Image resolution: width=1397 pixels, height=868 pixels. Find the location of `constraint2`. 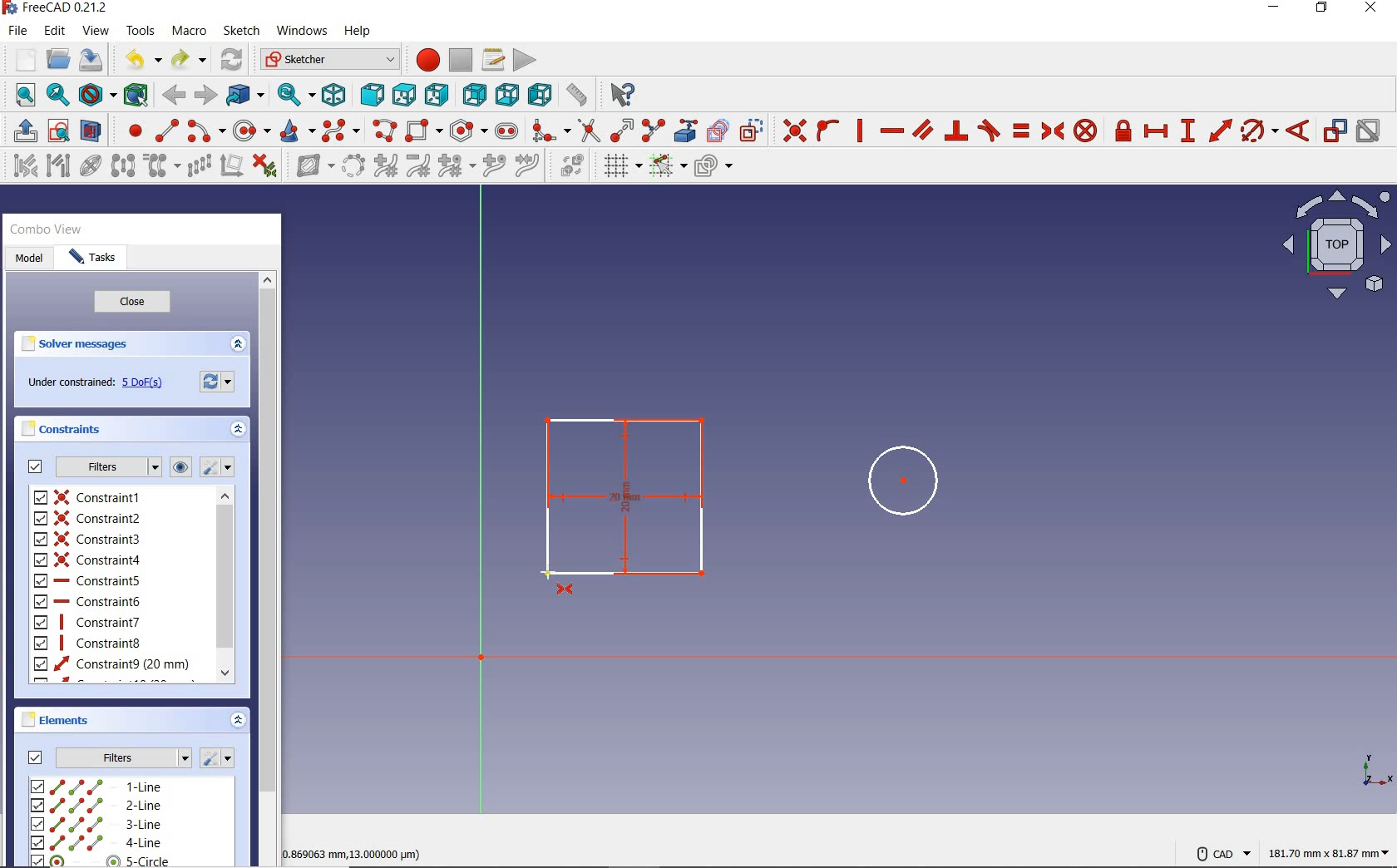

constraint2 is located at coordinates (88, 518).